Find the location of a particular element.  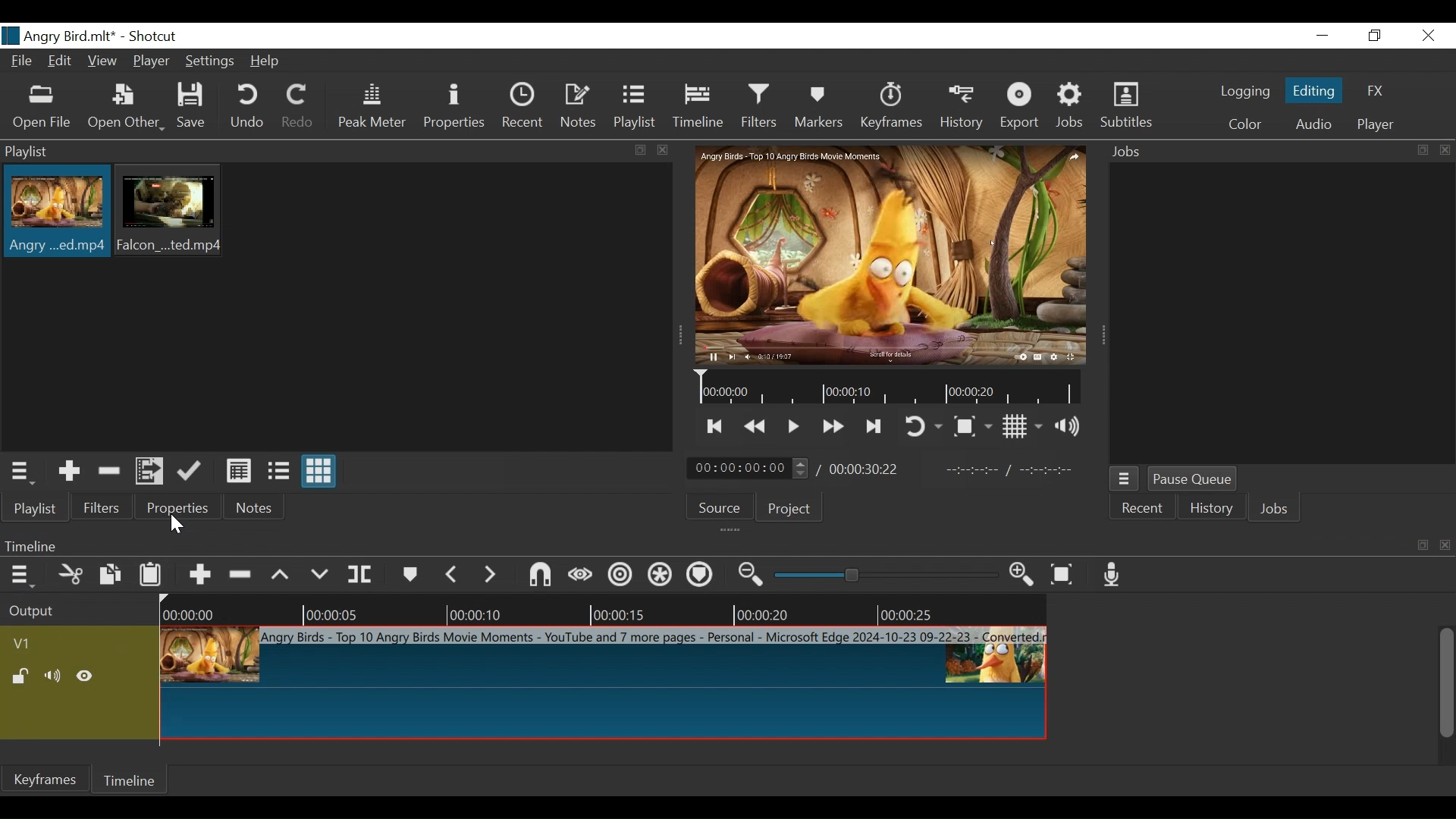

Notes is located at coordinates (579, 108).